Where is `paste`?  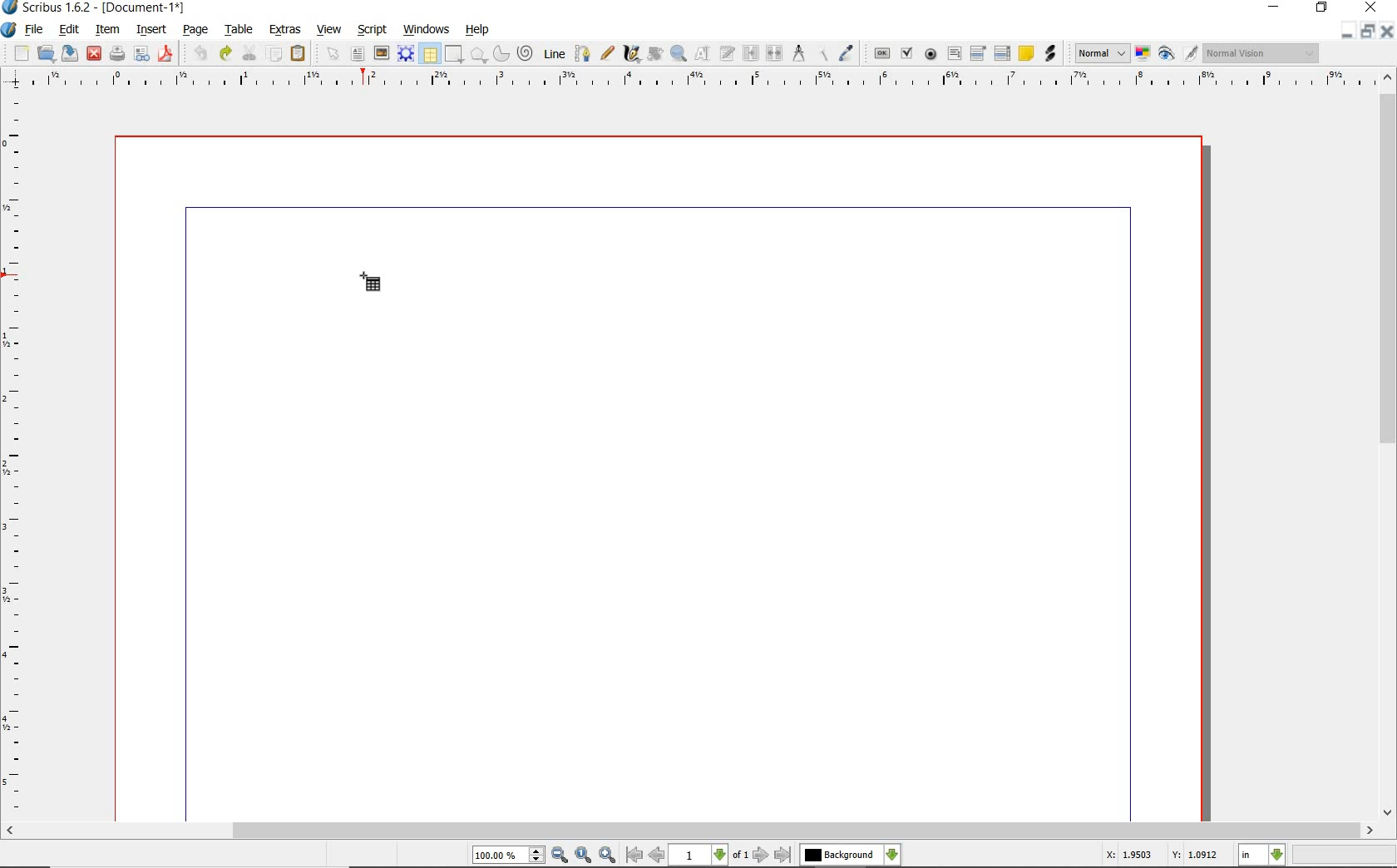
paste is located at coordinates (298, 53).